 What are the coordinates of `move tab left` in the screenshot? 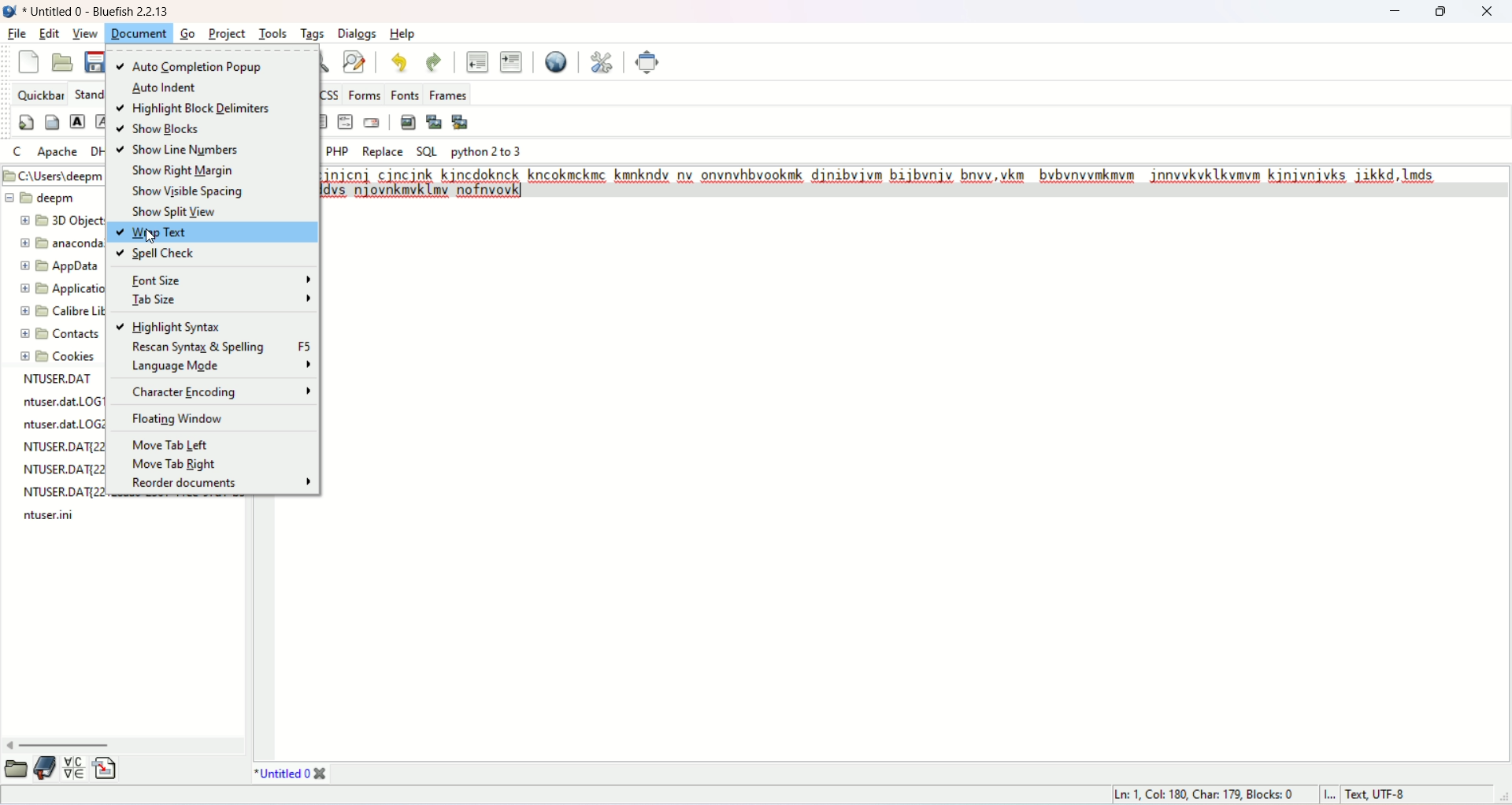 It's located at (172, 442).